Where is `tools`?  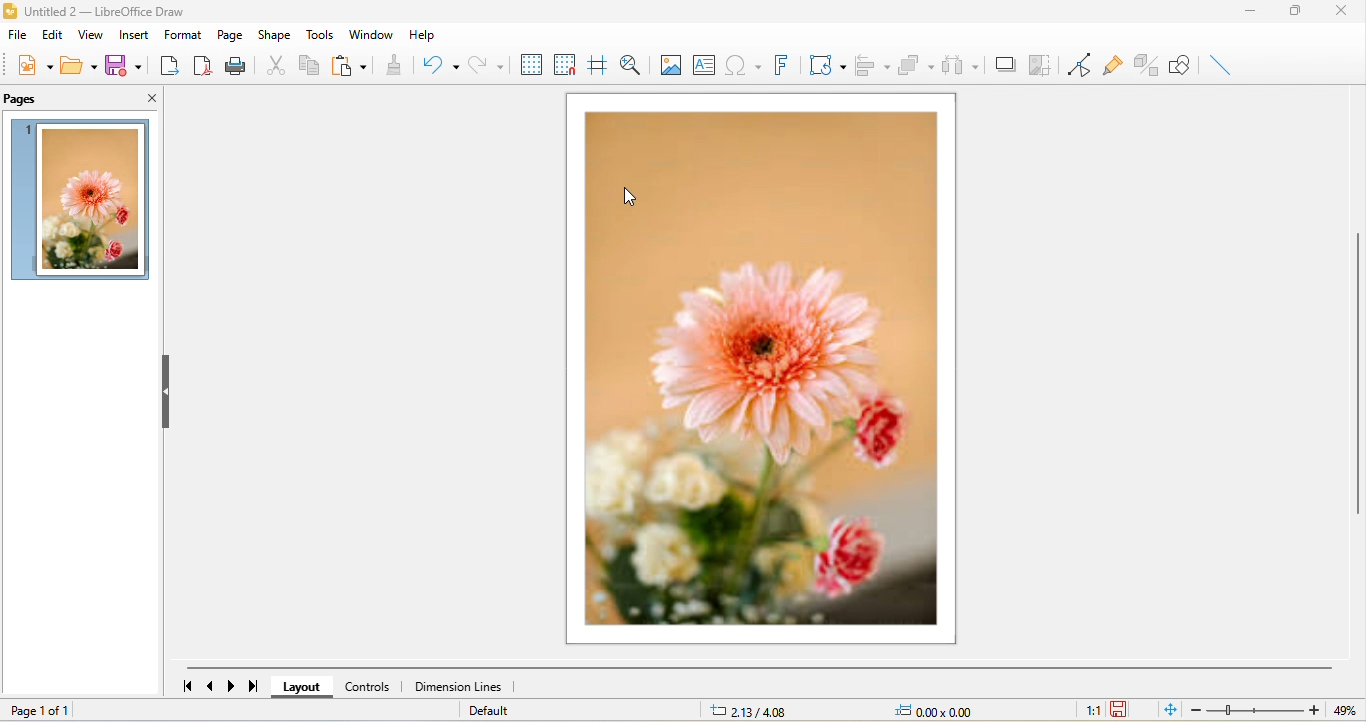 tools is located at coordinates (321, 32).